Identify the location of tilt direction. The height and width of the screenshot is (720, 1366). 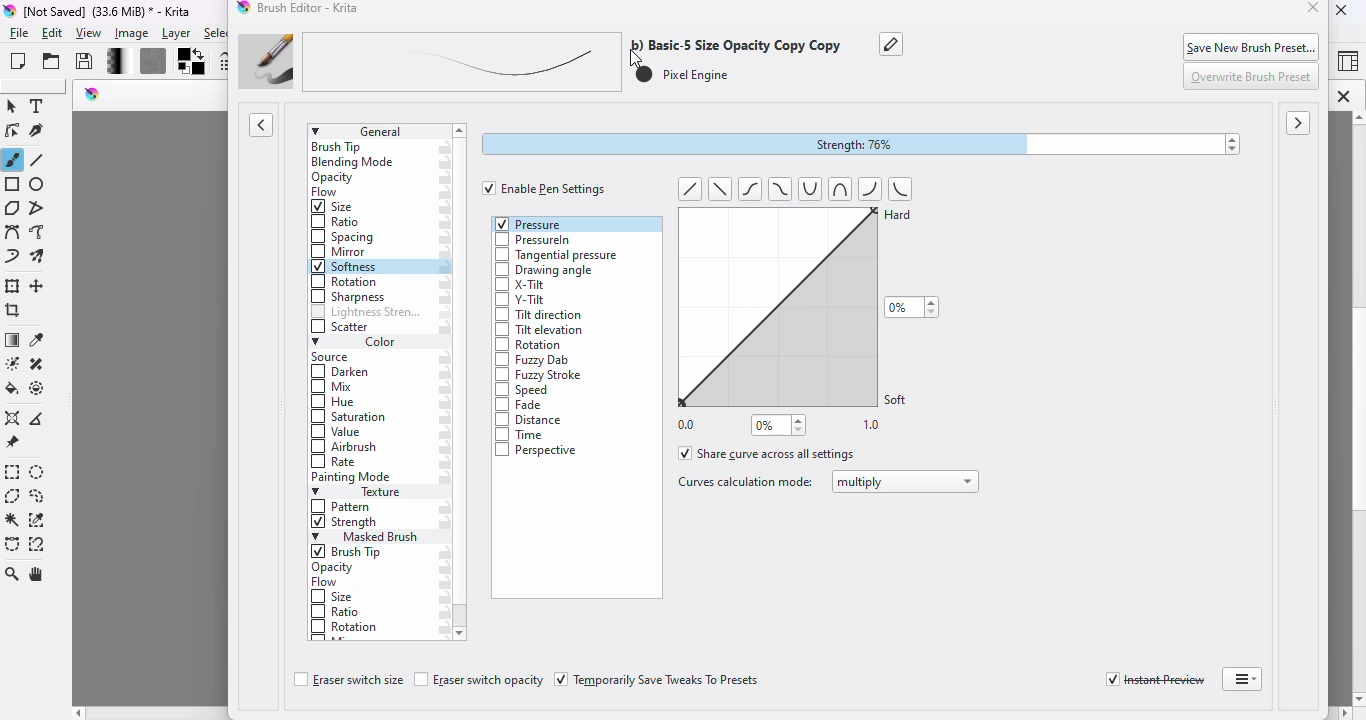
(539, 315).